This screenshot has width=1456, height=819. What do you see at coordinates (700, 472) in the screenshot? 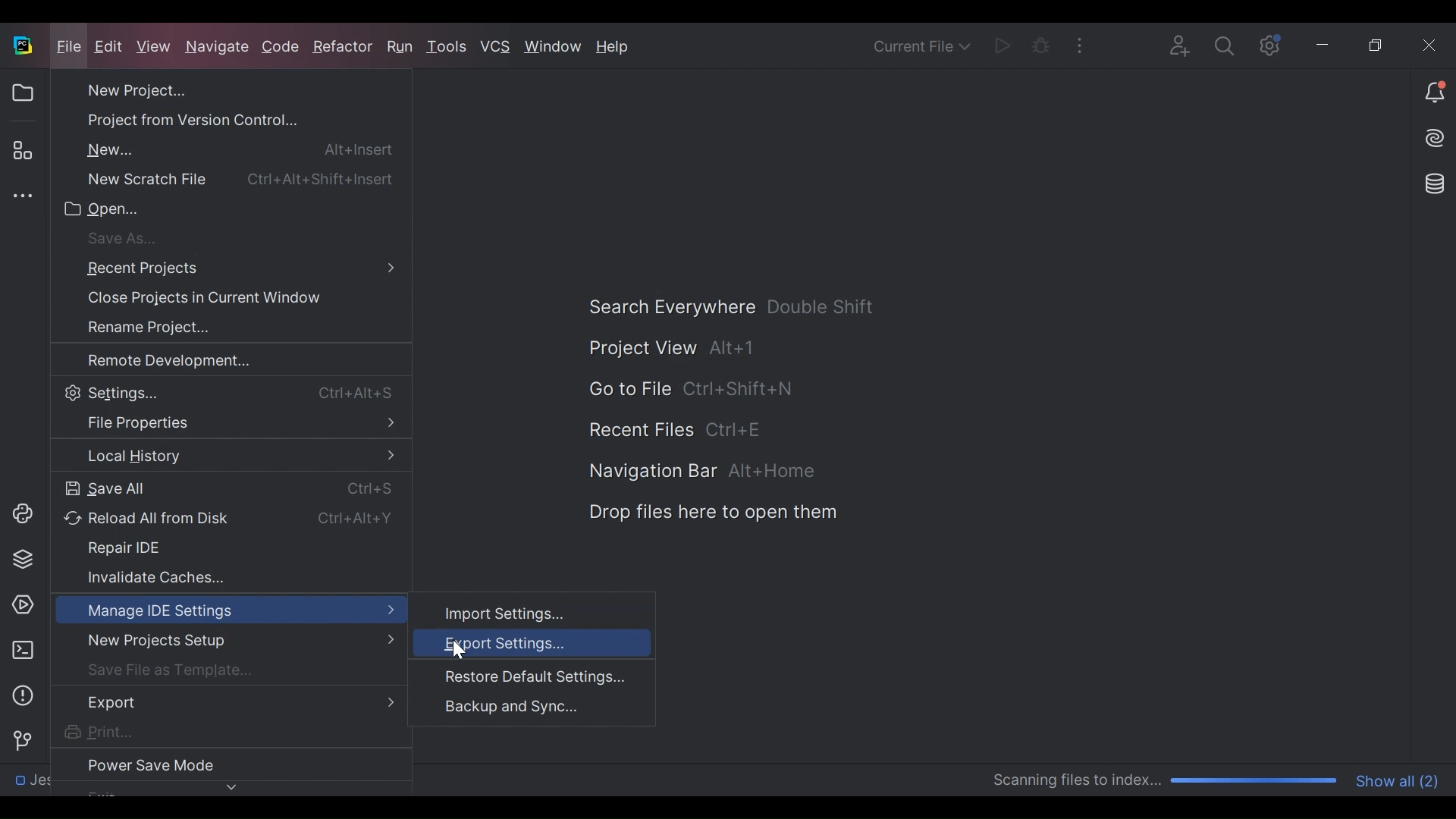
I see `Navigation Bar` at bounding box center [700, 472].